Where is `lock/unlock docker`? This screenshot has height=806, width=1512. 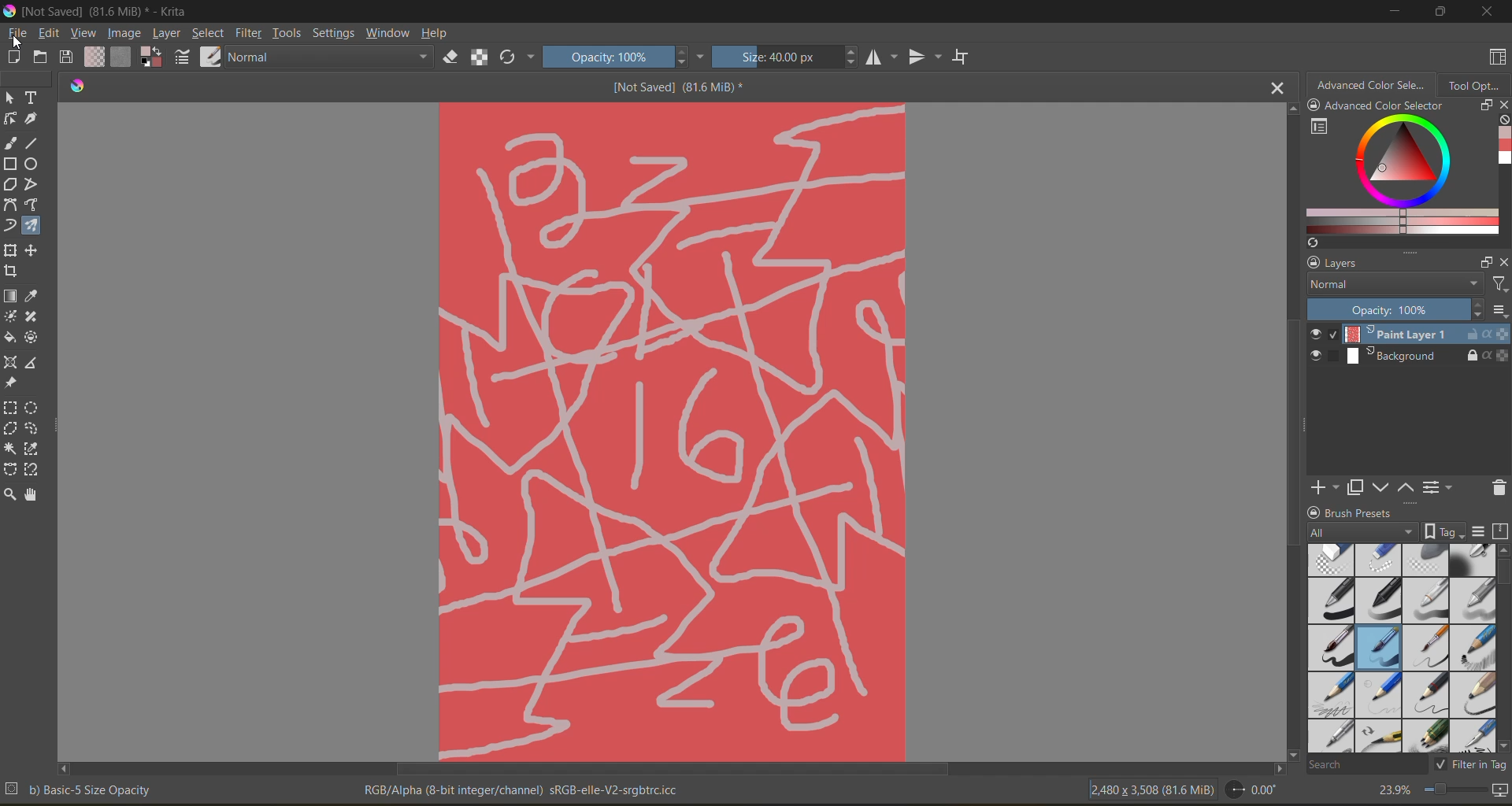
lock/unlock docker is located at coordinates (1310, 263).